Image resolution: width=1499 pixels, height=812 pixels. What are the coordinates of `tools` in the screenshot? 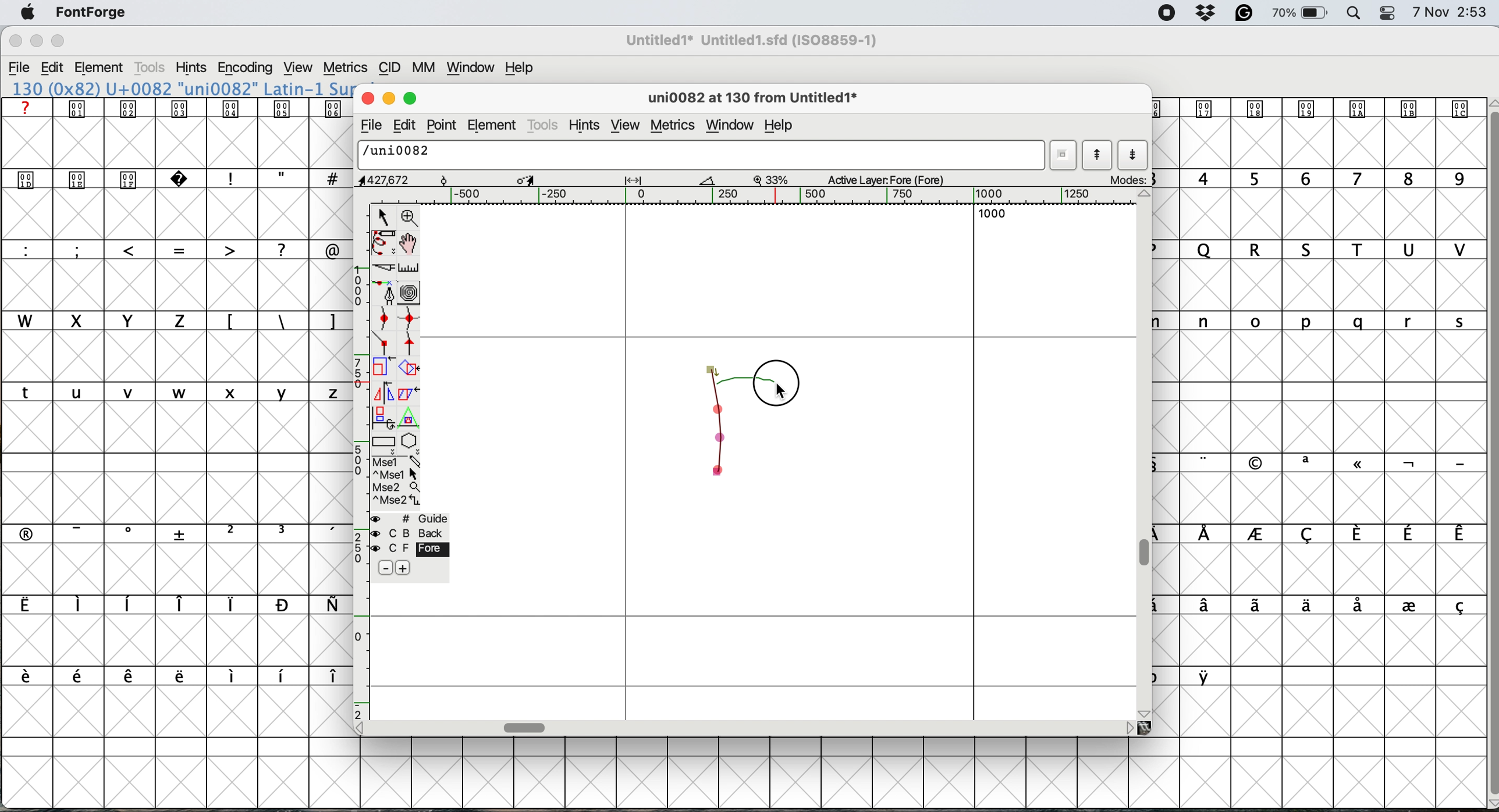 It's located at (151, 67).